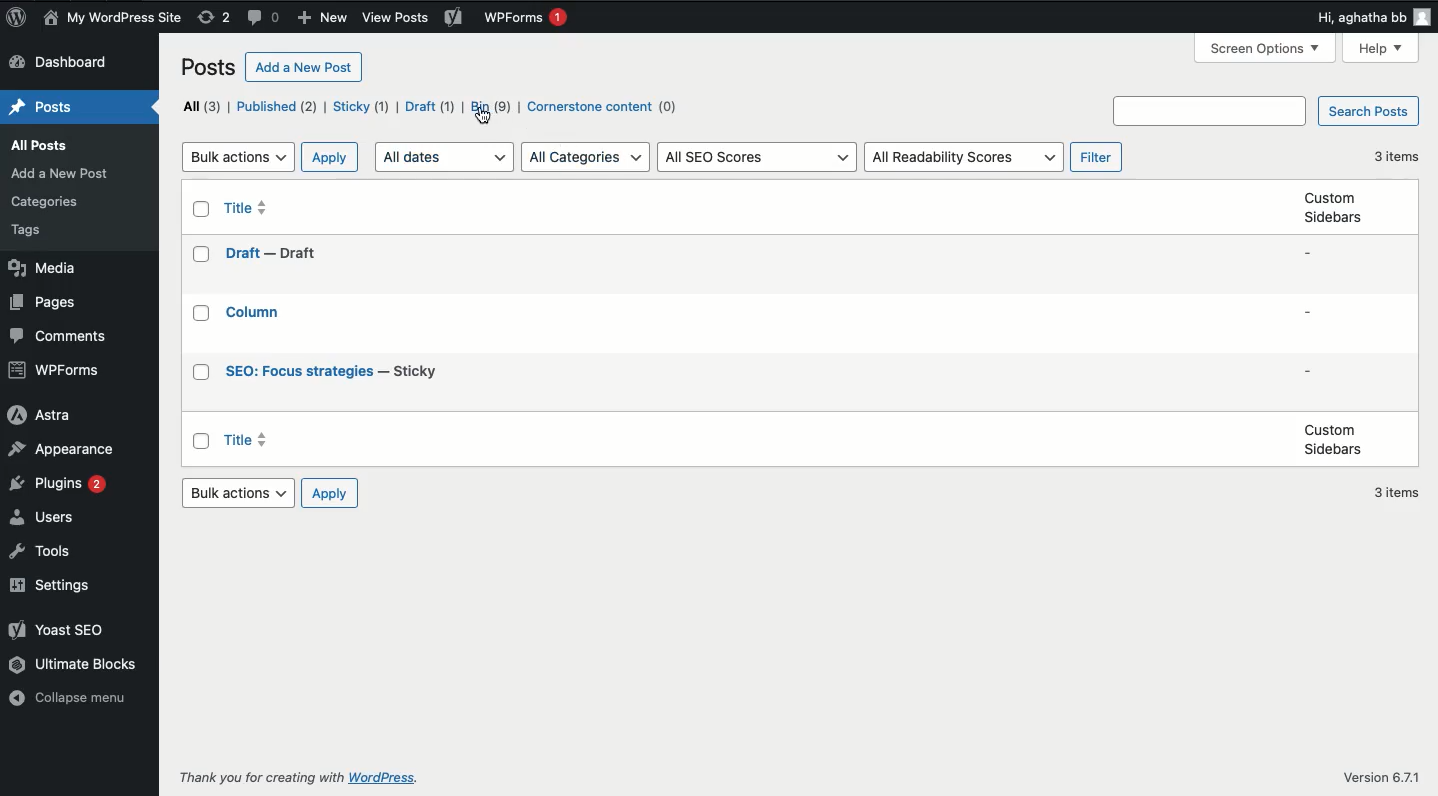  What do you see at coordinates (199, 106) in the screenshot?
I see `All` at bounding box center [199, 106].